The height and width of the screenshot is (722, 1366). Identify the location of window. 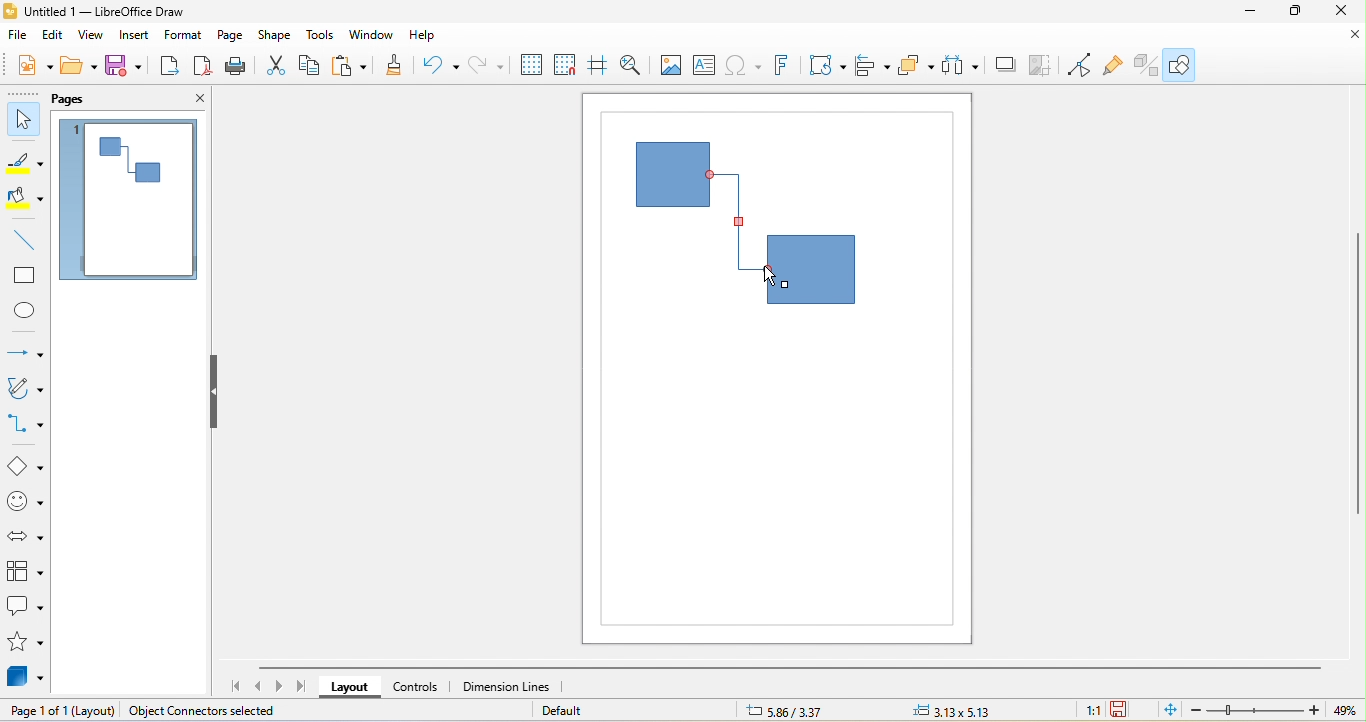
(373, 36).